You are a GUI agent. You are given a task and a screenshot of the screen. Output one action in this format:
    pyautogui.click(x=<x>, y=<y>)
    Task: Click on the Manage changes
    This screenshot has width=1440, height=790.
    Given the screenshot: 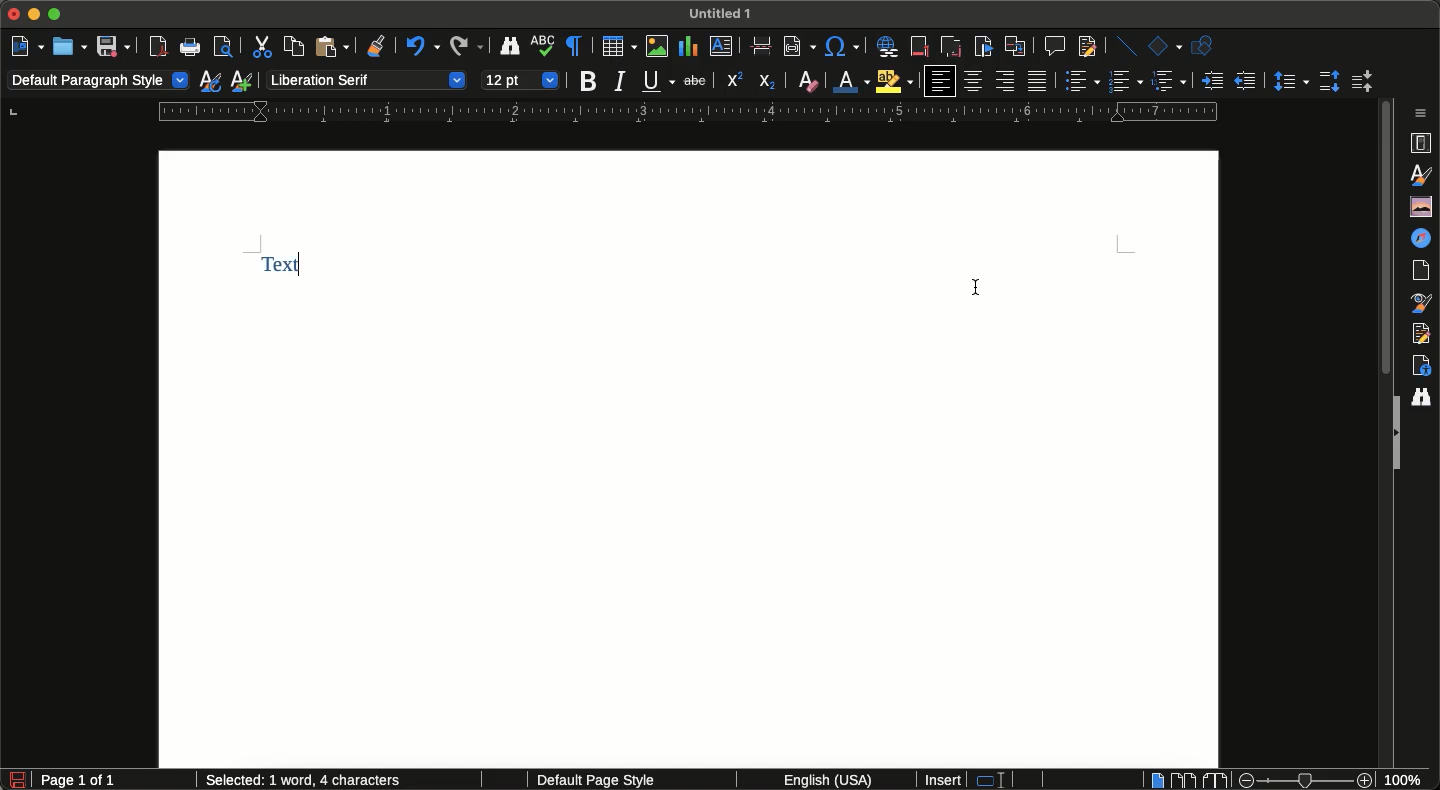 What is the action you would take?
    pyautogui.click(x=1425, y=334)
    